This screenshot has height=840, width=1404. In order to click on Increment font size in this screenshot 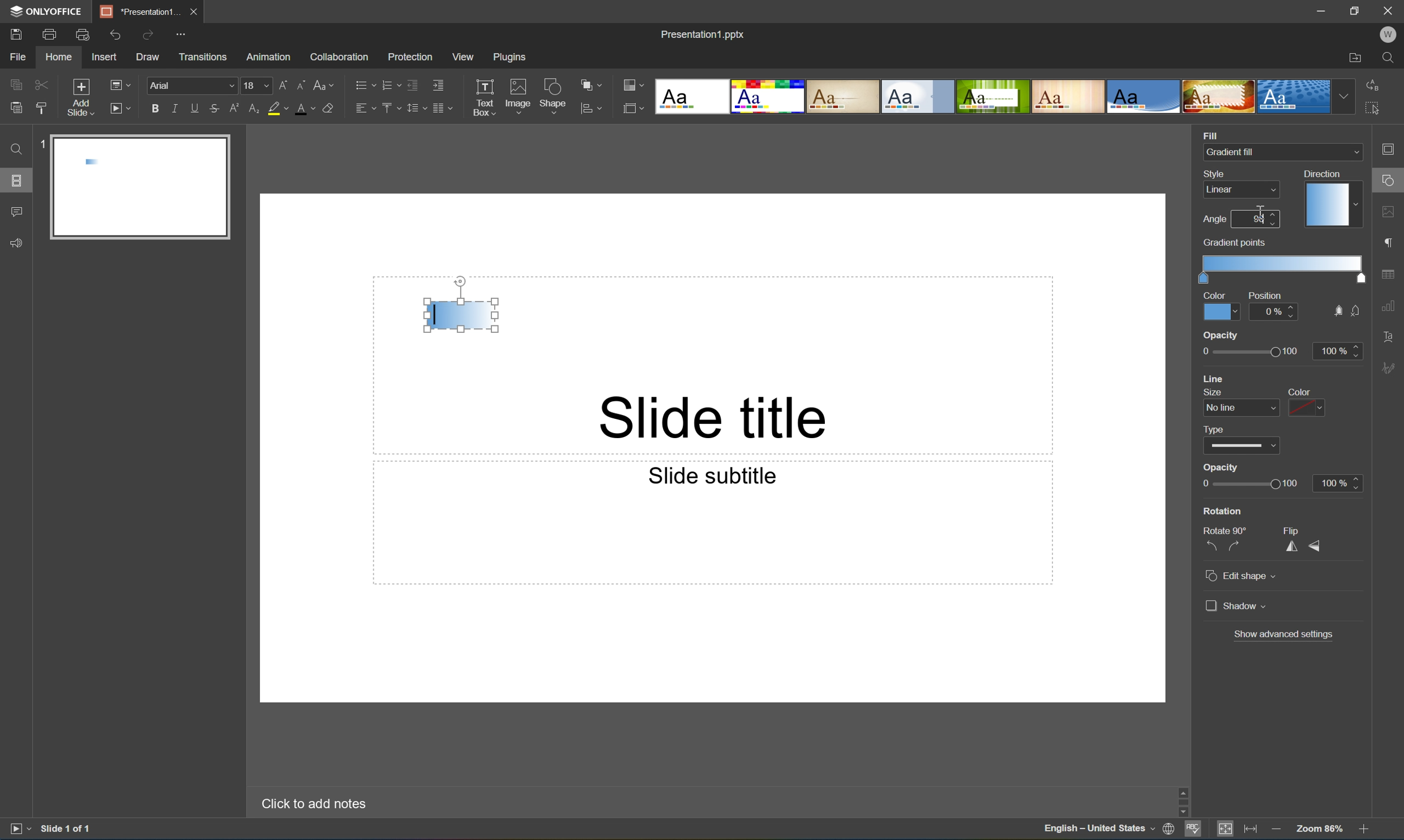, I will do `click(280, 83)`.